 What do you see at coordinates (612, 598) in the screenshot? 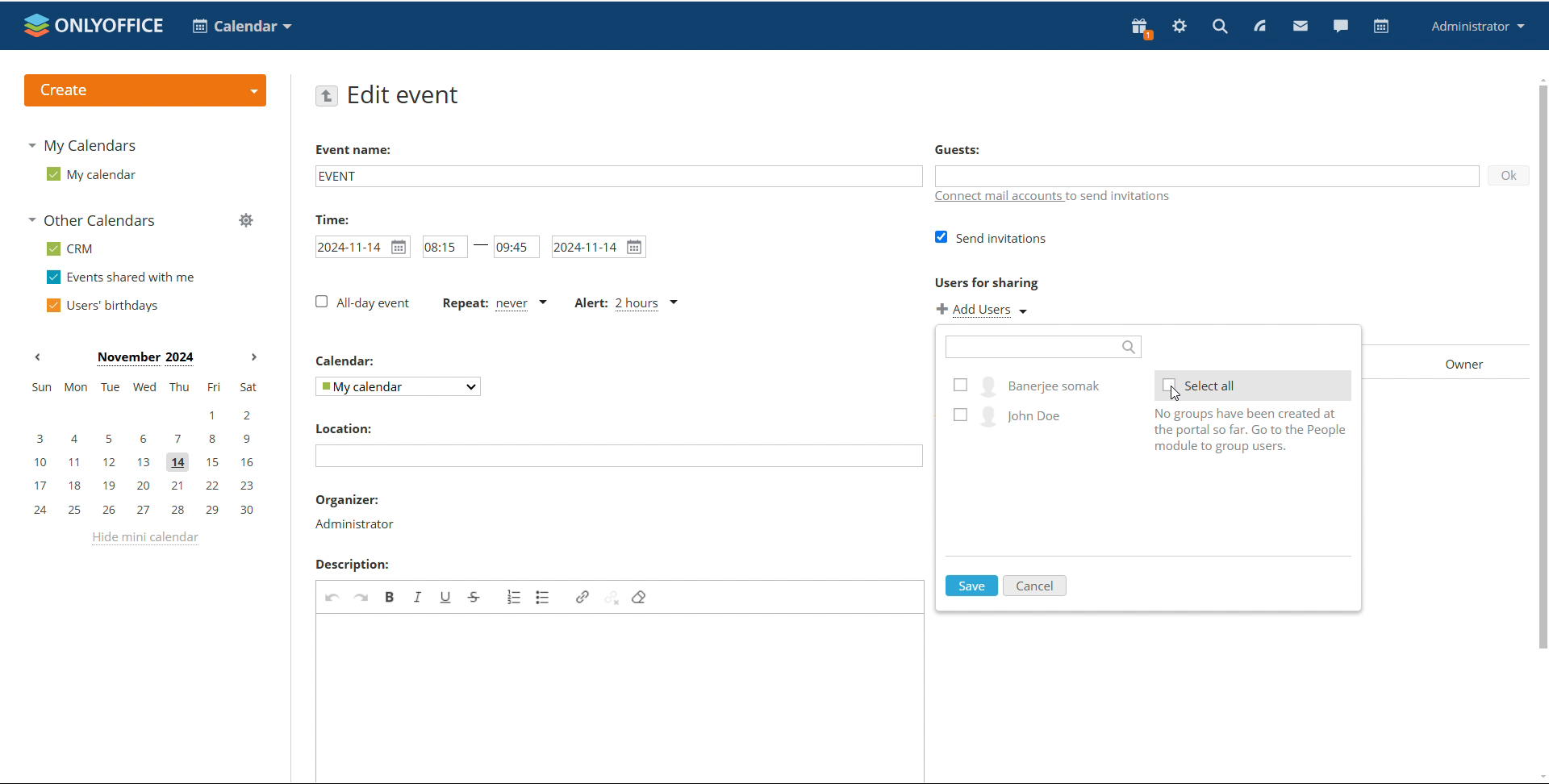
I see `unlink` at bounding box center [612, 598].